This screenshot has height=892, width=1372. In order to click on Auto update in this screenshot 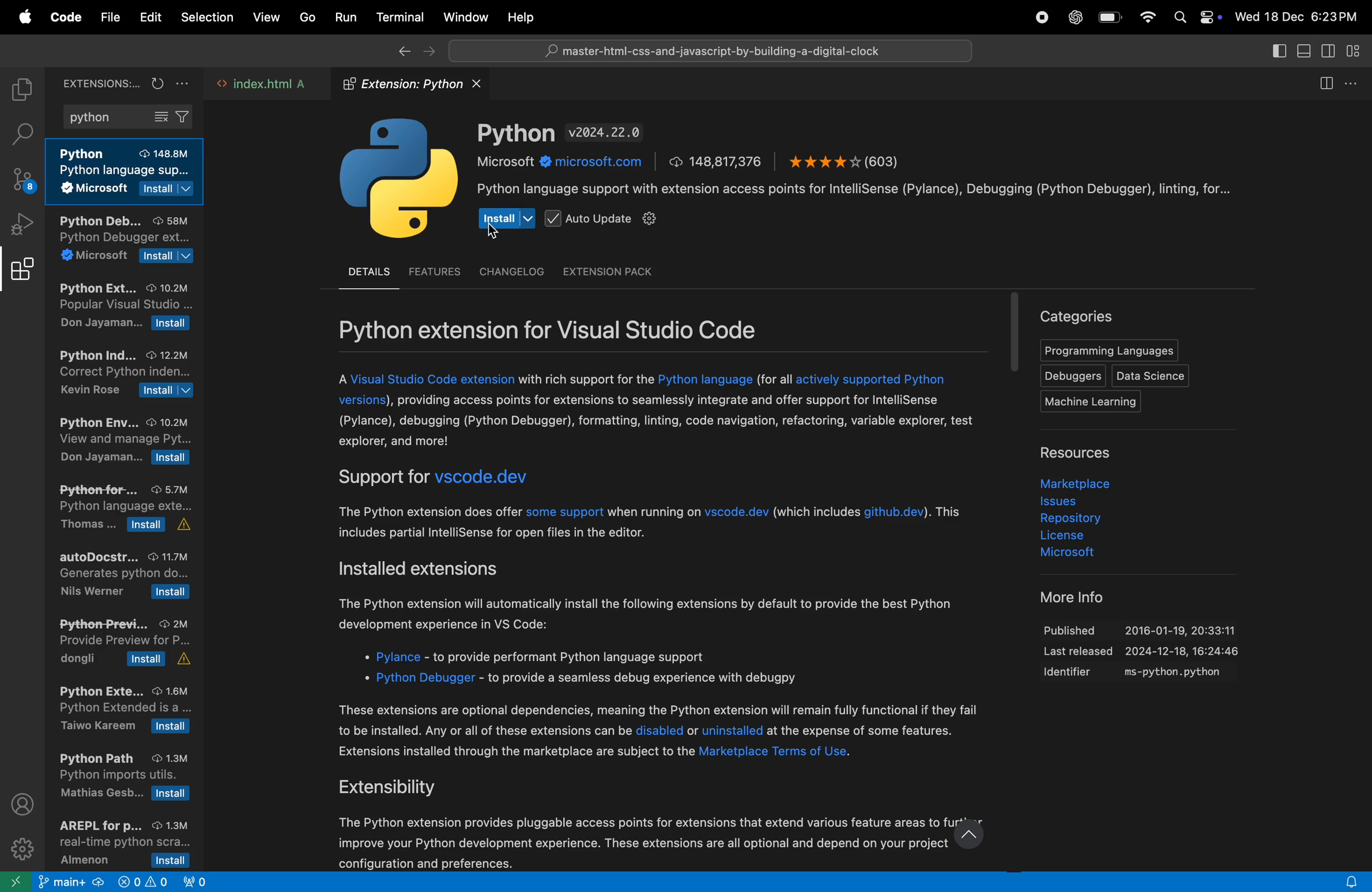, I will do `click(602, 219)`.